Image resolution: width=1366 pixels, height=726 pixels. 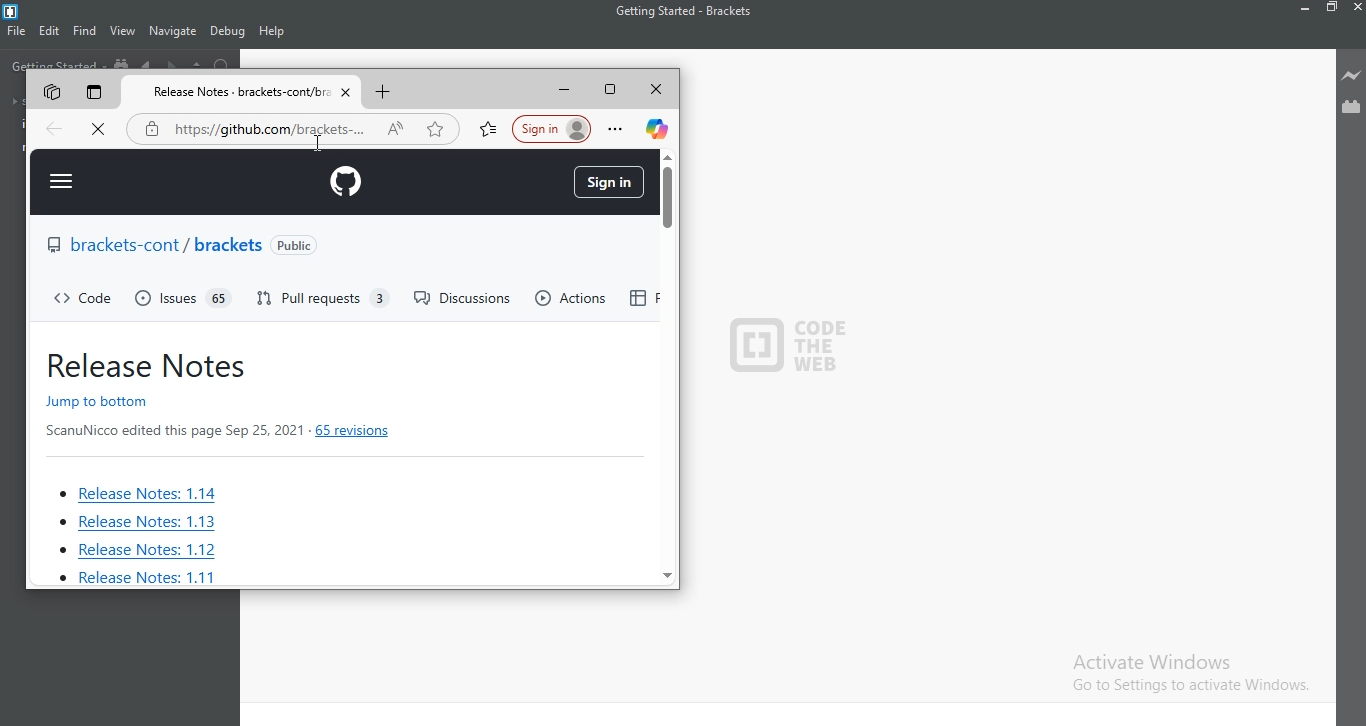 I want to click on Close, so click(x=1357, y=10).